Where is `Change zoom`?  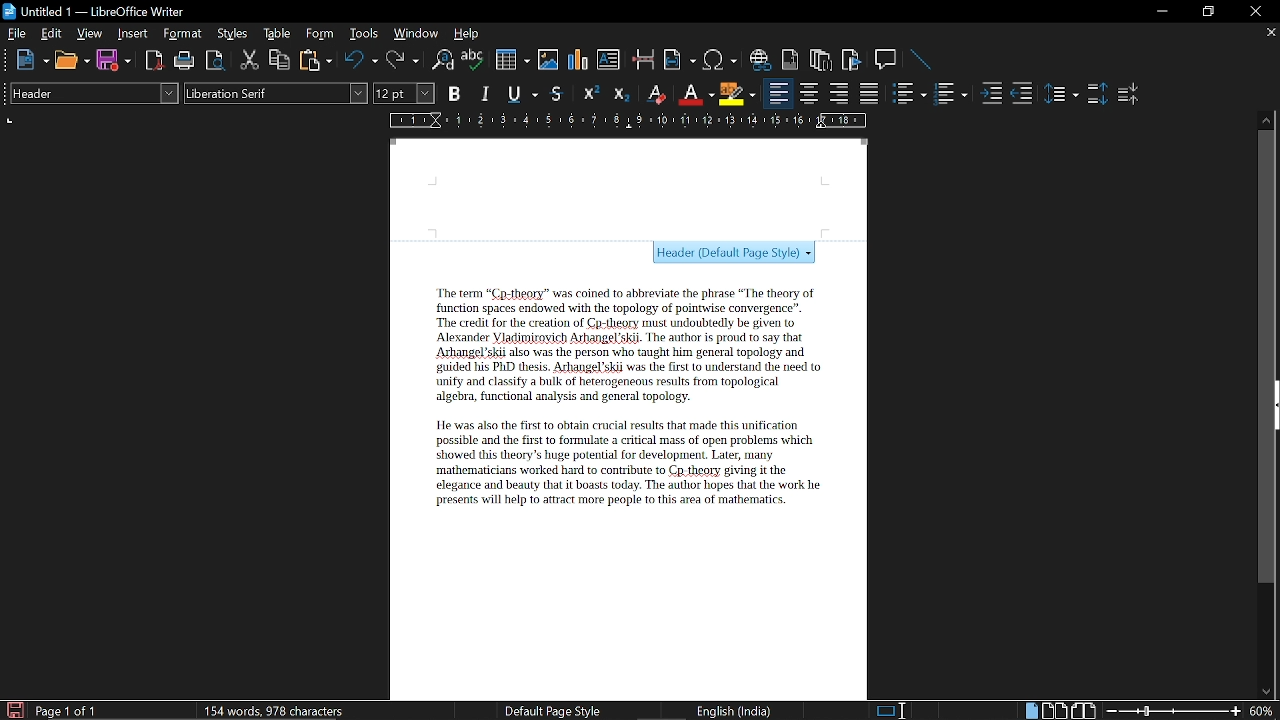 Change zoom is located at coordinates (1174, 711).